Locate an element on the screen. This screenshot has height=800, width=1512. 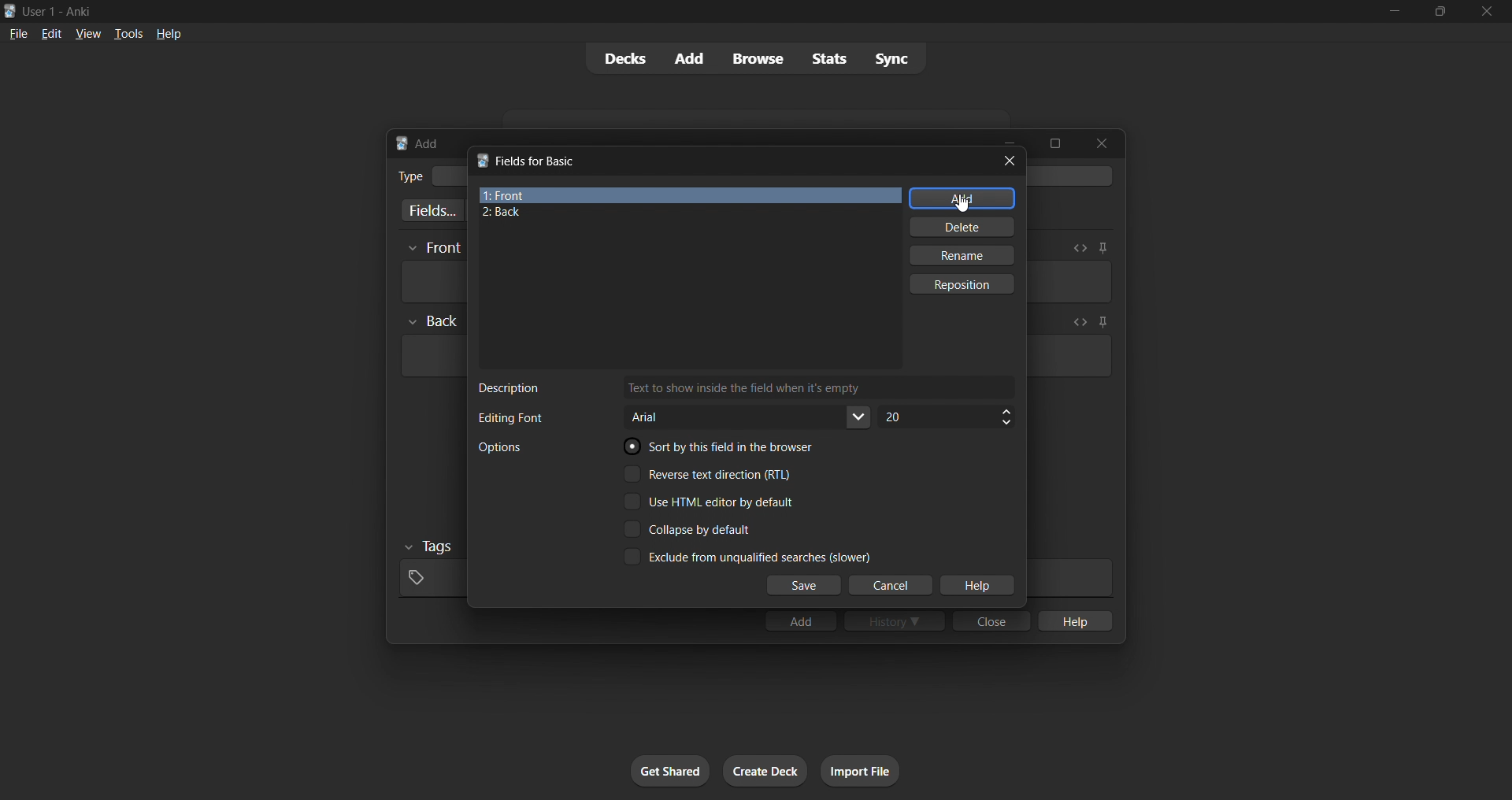
Toggle sticky is located at coordinates (1102, 248).